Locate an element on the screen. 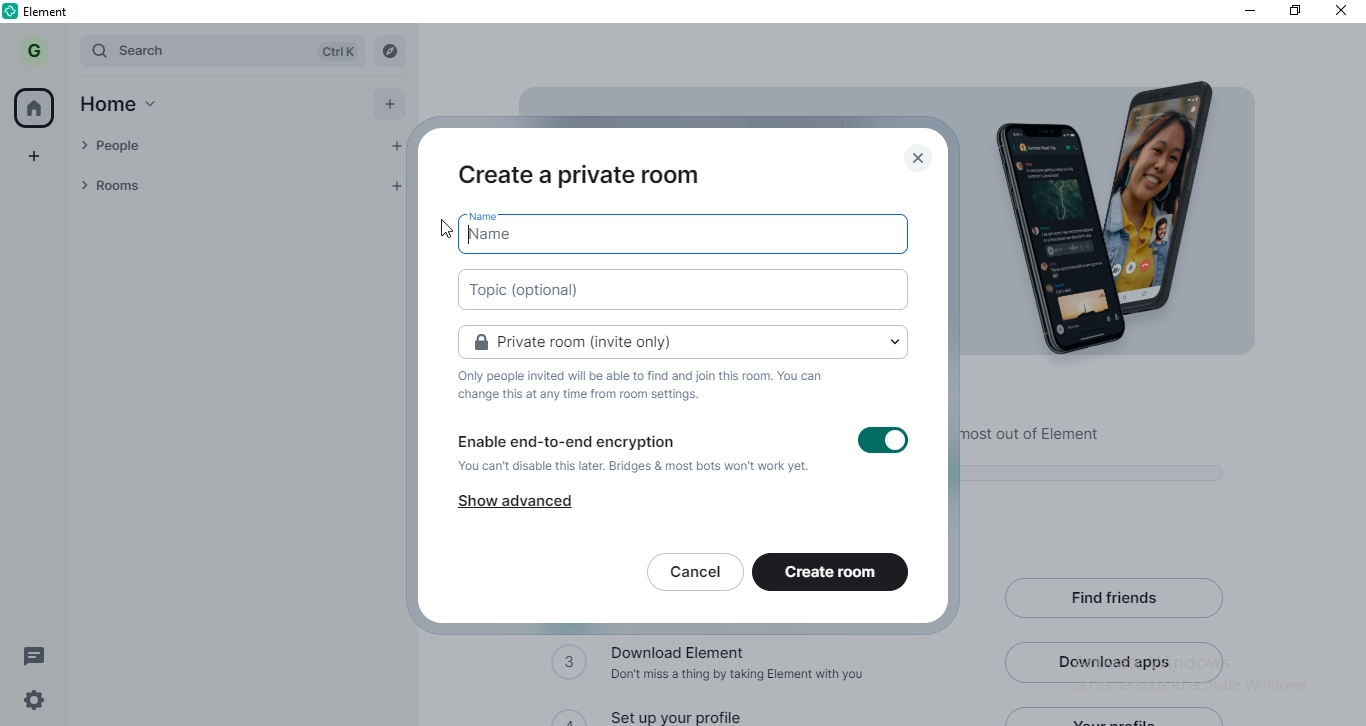  cancel is located at coordinates (693, 573).